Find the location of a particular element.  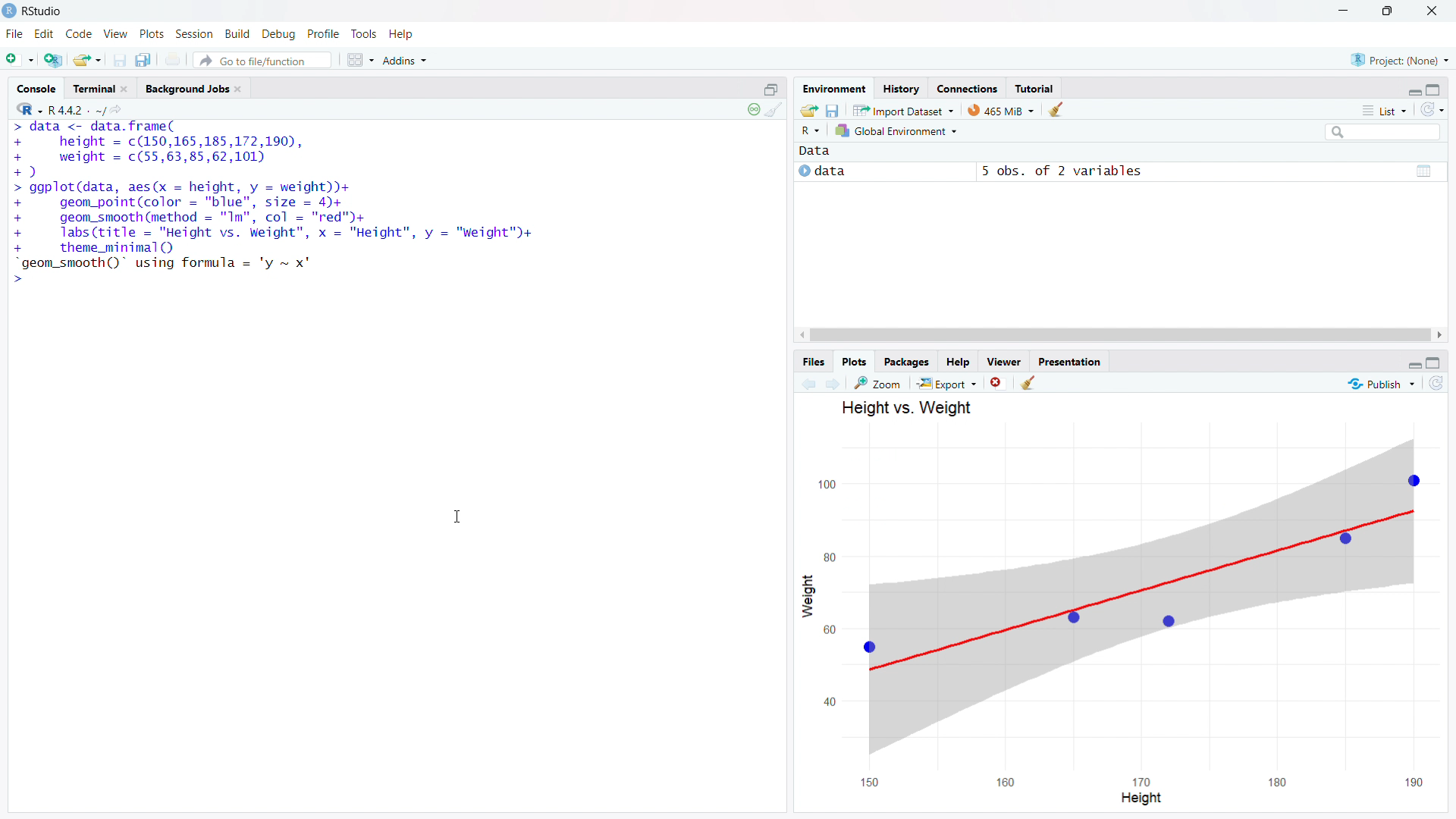

zoom is located at coordinates (880, 383).